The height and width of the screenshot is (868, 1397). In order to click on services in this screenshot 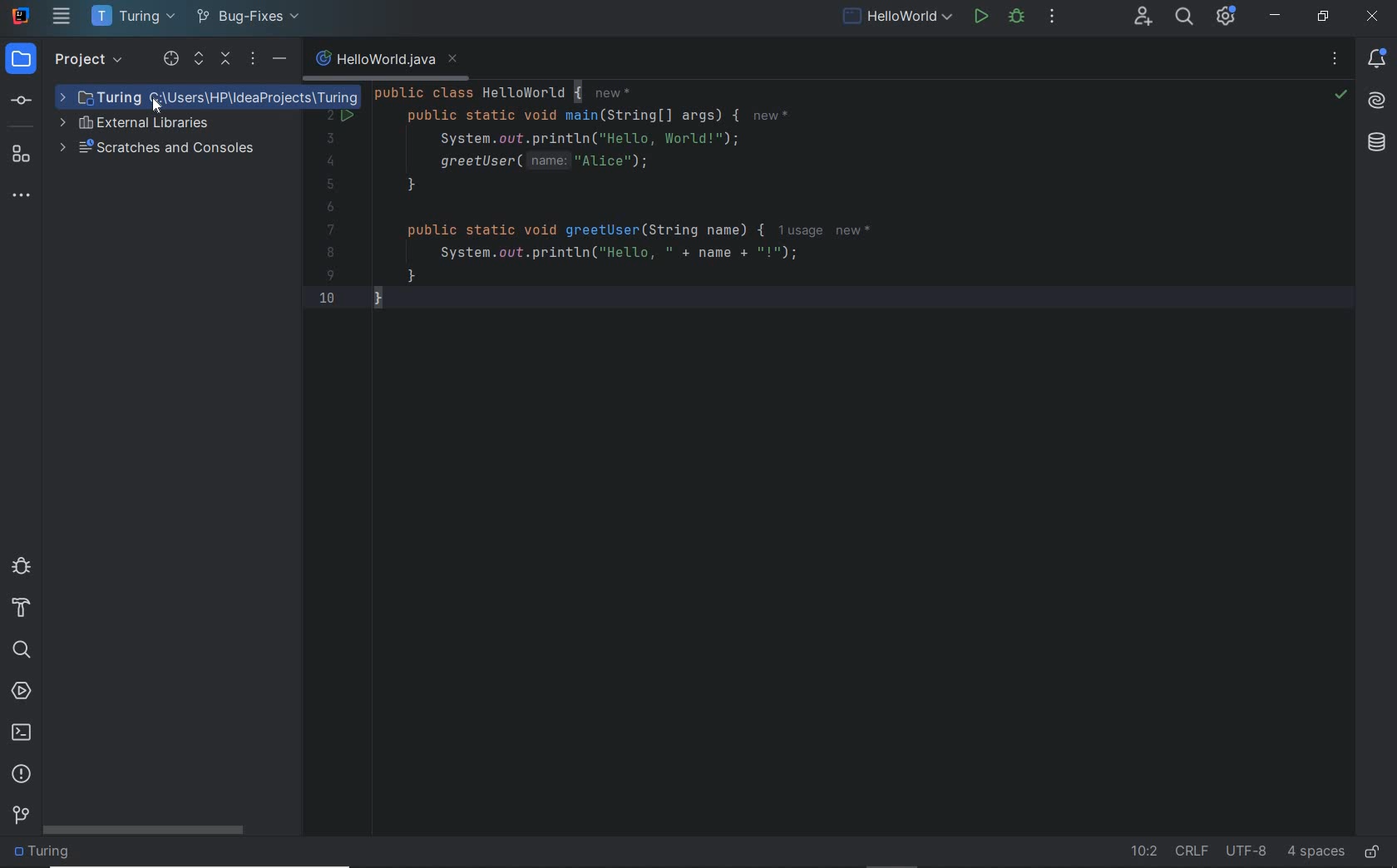, I will do `click(22, 693)`.